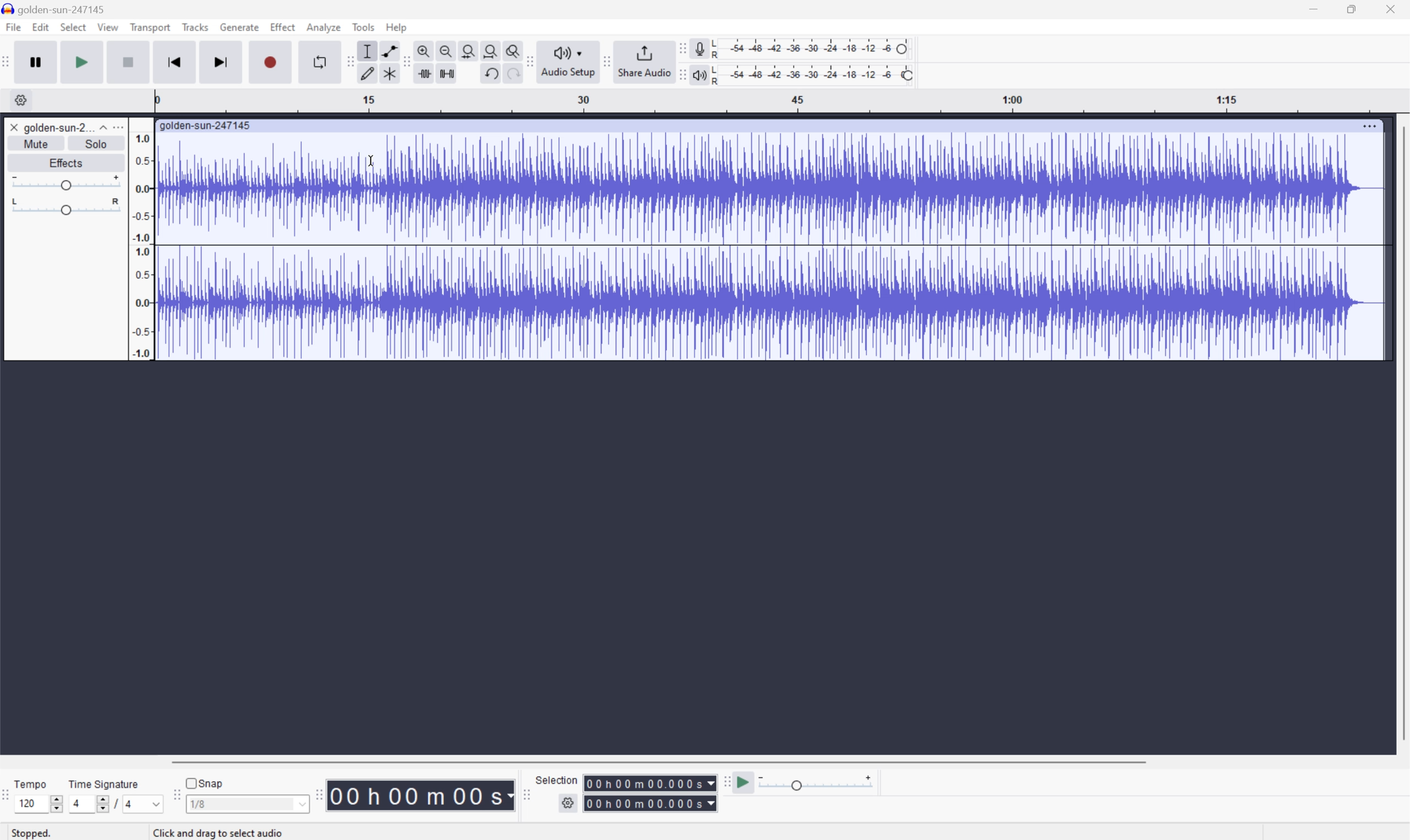 Image resolution: width=1410 pixels, height=840 pixels. What do you see at coordinates (151, 28) in the screenshot?
I see `Transport` at bounding box center [151, 28].